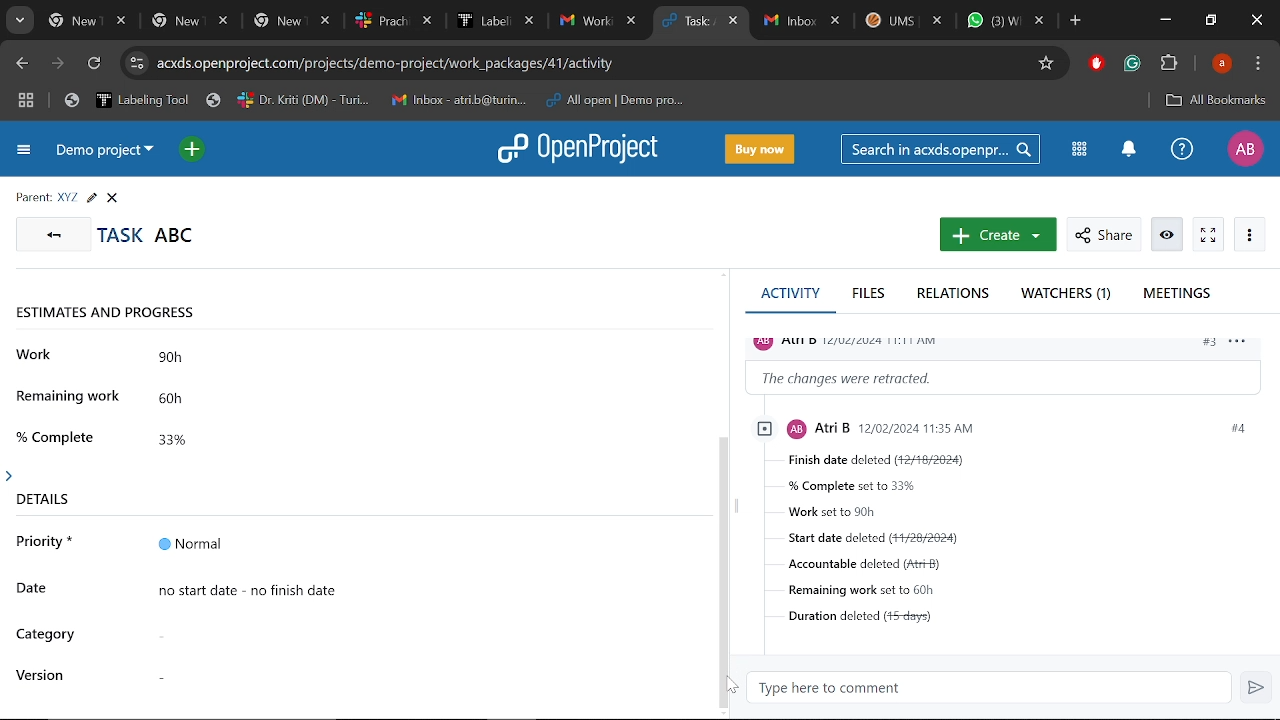 This screenshot has width=1280, height=720. What do you see at coordinates (1096, 63) in the screenshot?
I see `Addblock` at bounding box center [1096, 63].